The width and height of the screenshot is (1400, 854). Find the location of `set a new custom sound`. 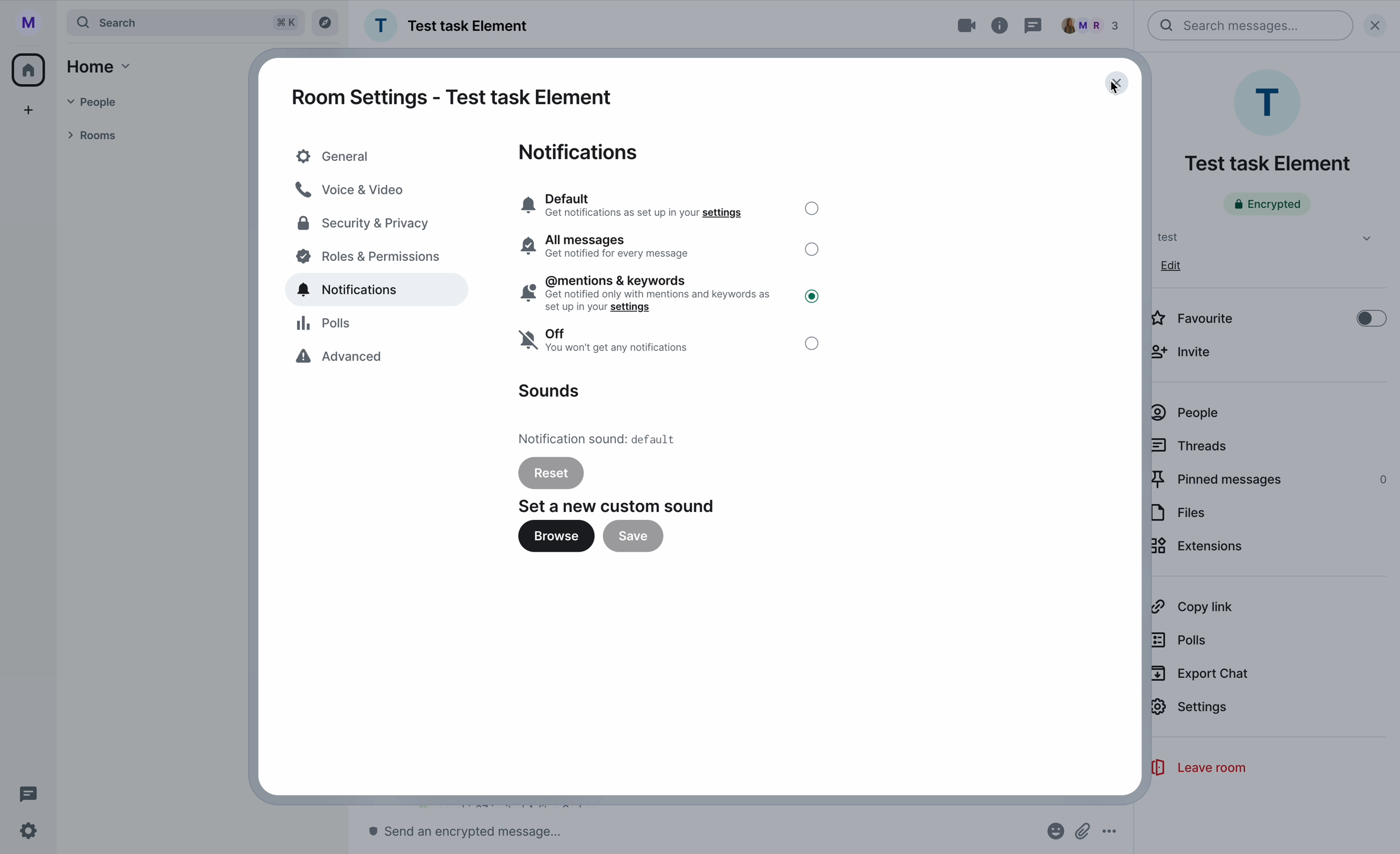

set a new custom sound is located at coordinates (619, 506).